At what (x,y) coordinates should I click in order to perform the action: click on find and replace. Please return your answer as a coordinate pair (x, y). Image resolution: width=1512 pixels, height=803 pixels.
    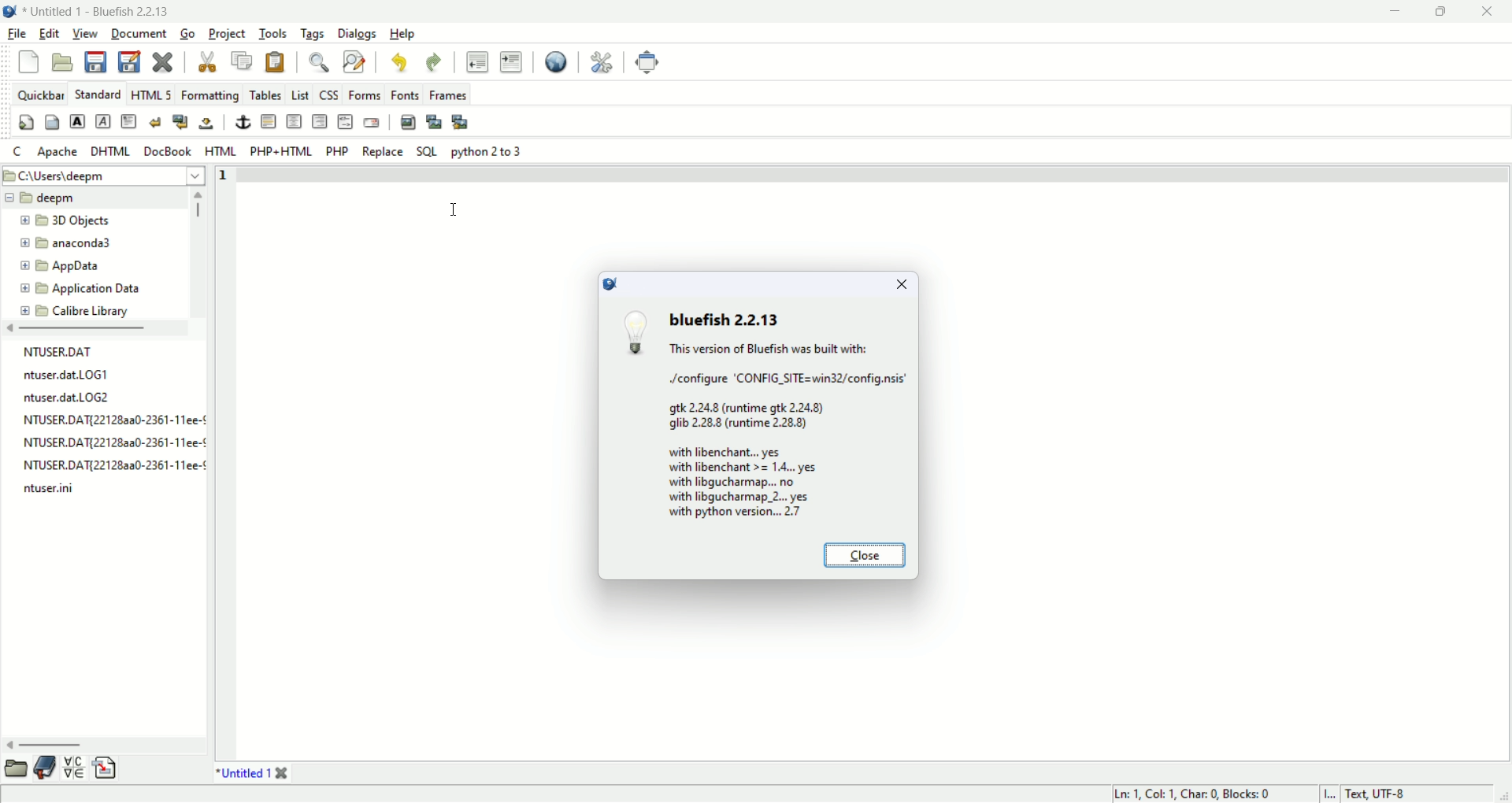
    Looking at the image, I should click on (354, 62).